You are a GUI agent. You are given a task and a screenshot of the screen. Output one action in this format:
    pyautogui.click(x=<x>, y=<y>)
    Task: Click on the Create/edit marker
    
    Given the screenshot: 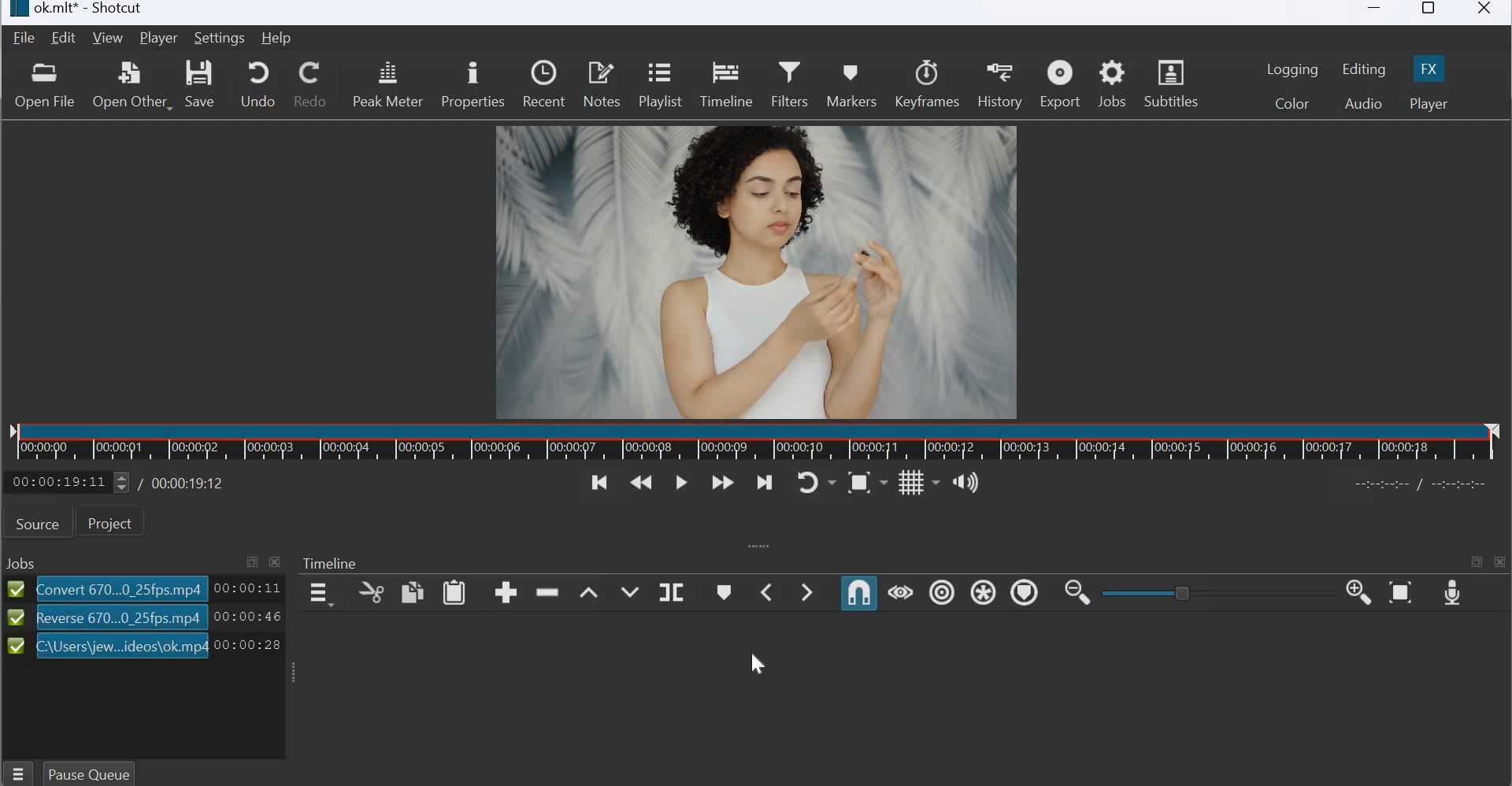 What is the action you would take?
    pyautogui.click(x=724, y=591)
    